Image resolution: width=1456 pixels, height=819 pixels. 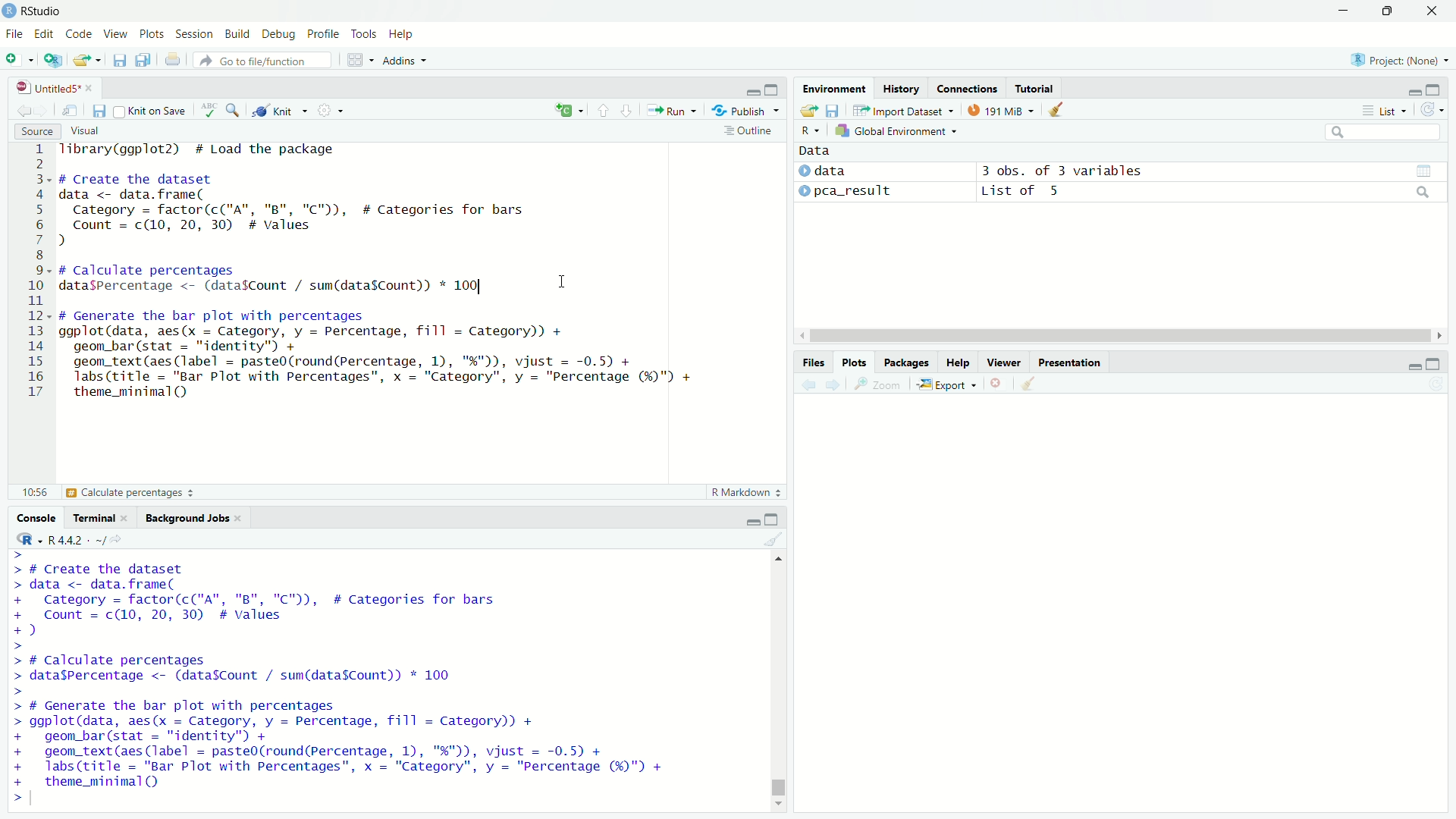 What do you see at coordinates (1343, 10) in the screenshot?
I see `minimize` at bounding box center [1343, 10].